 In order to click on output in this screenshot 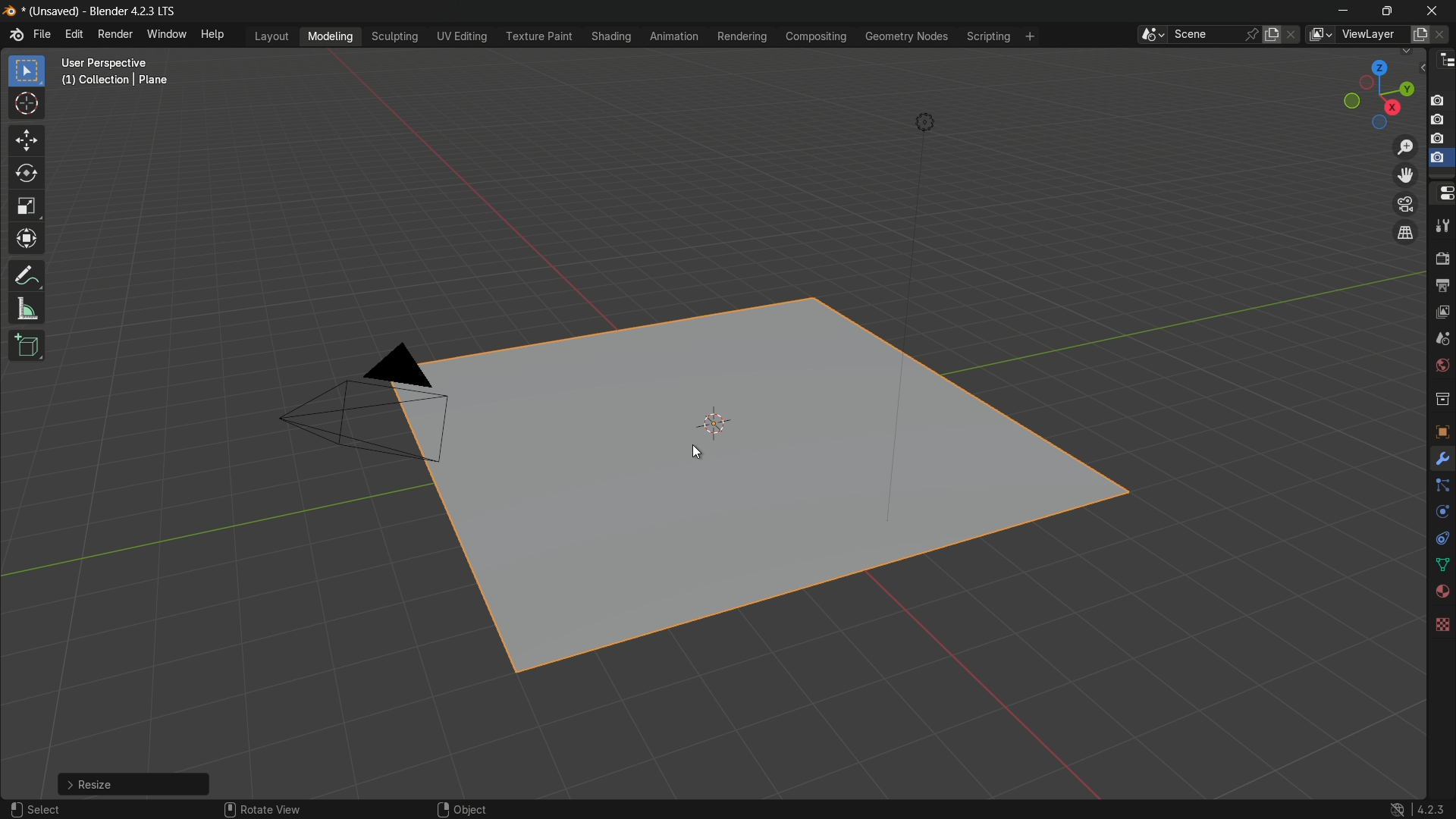, I will do `click(1441, 284)`.